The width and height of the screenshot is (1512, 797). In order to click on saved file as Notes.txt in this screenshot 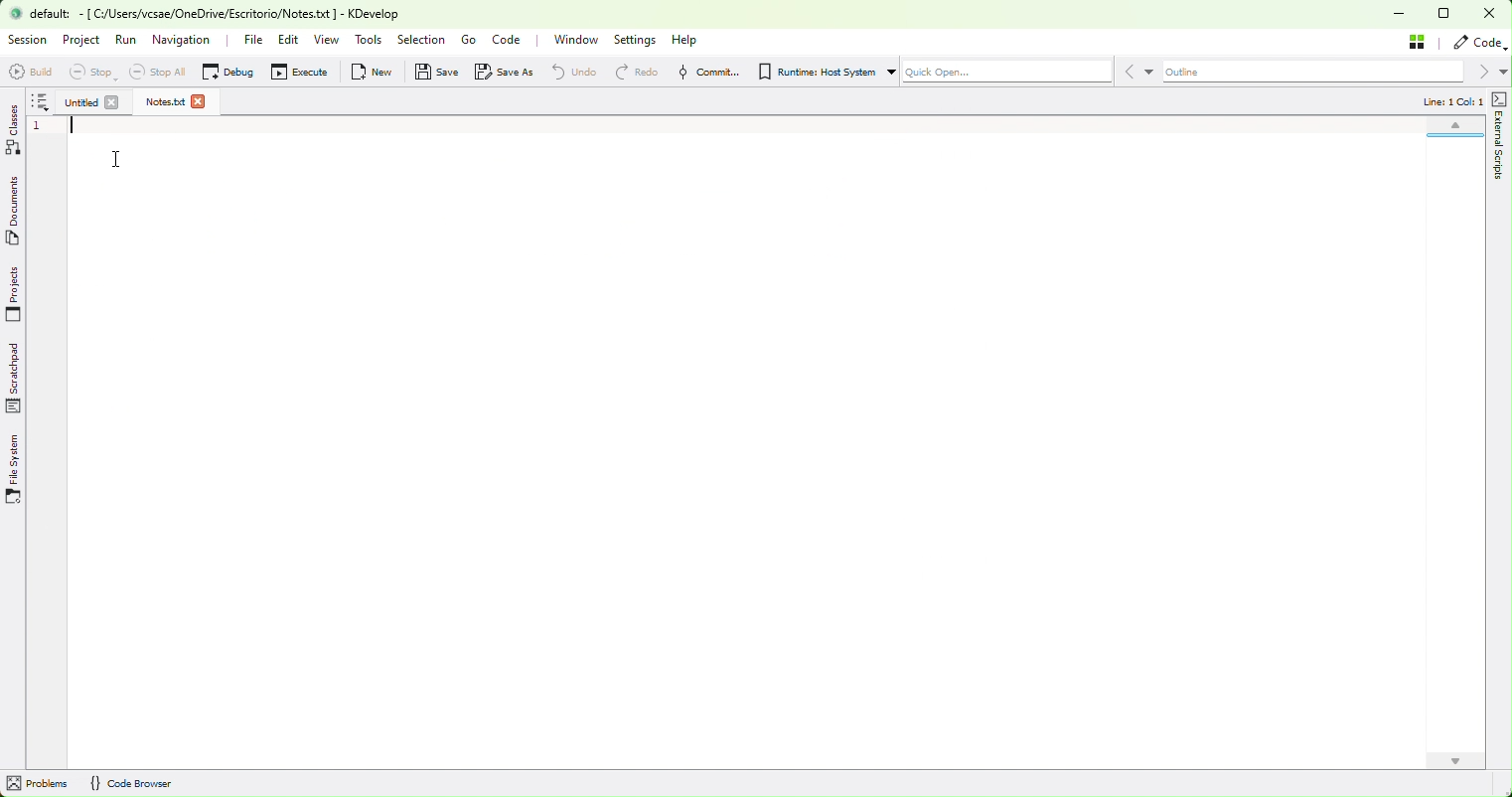, I will do `click(165, 101)`.